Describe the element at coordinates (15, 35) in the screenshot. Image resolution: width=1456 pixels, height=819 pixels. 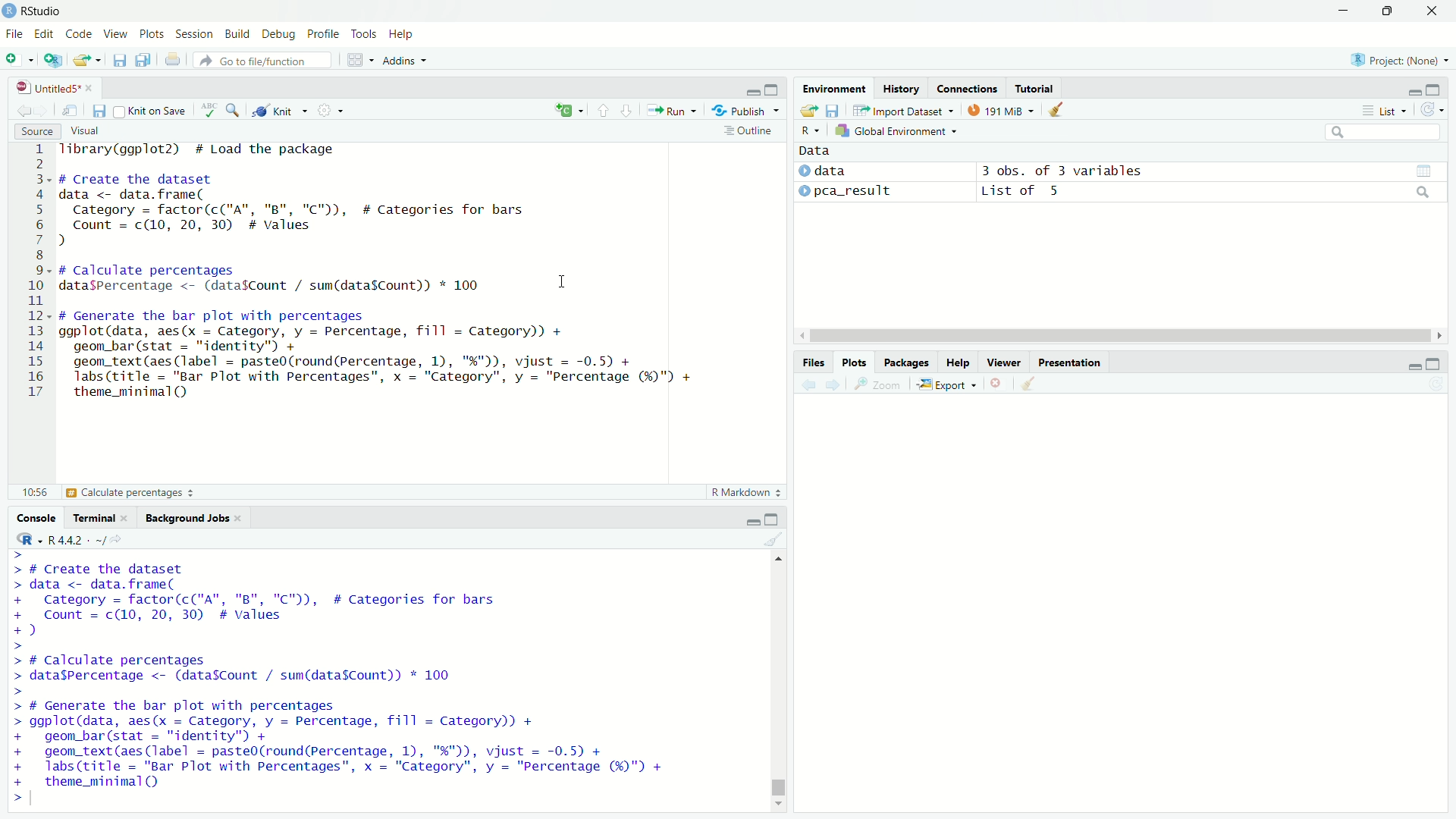
I see `File` at that location.